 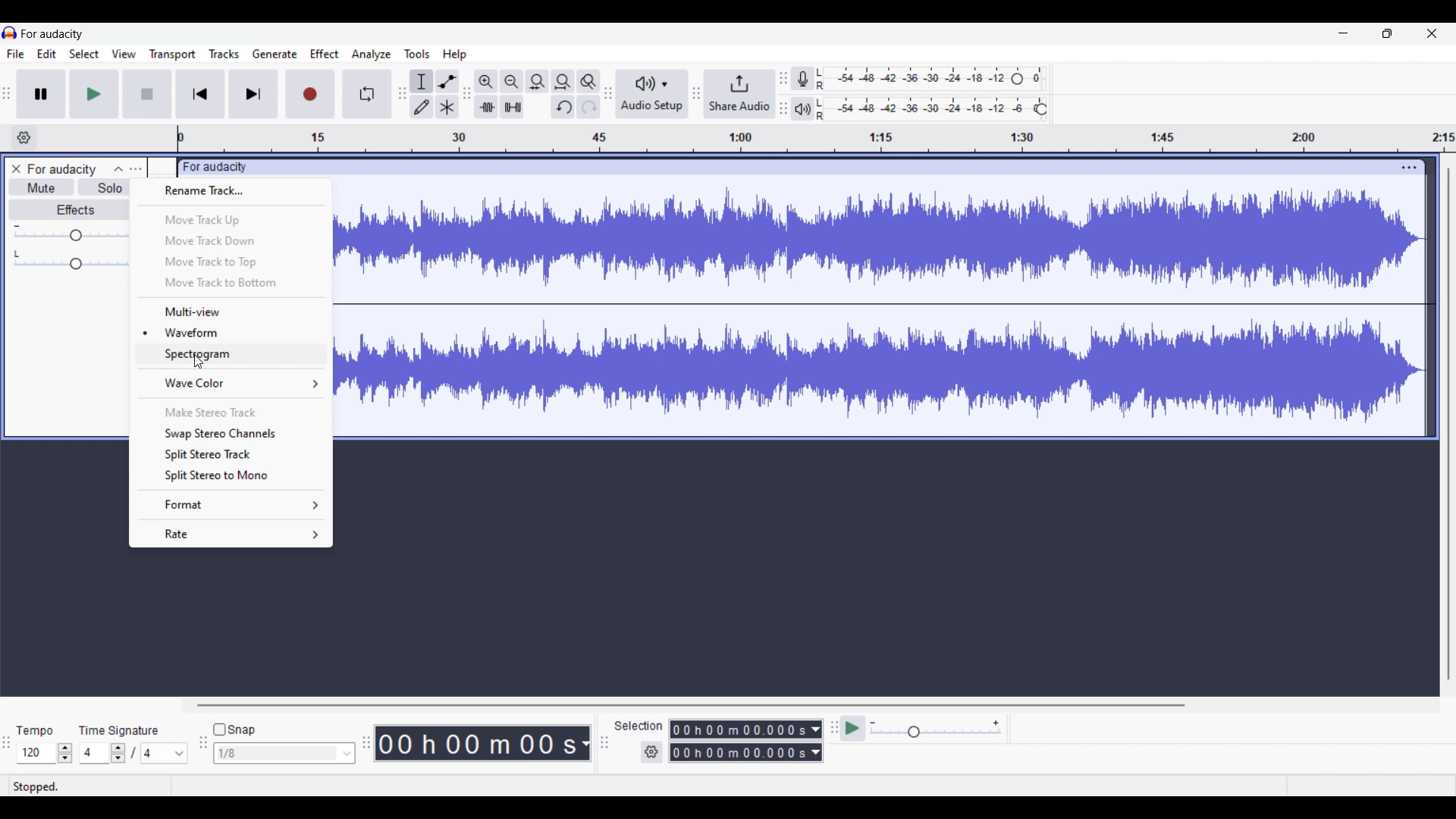 What do you see at coordinates (118, 169) in the screenshot?
I see `Collapse` at bounding box center [118, 169].